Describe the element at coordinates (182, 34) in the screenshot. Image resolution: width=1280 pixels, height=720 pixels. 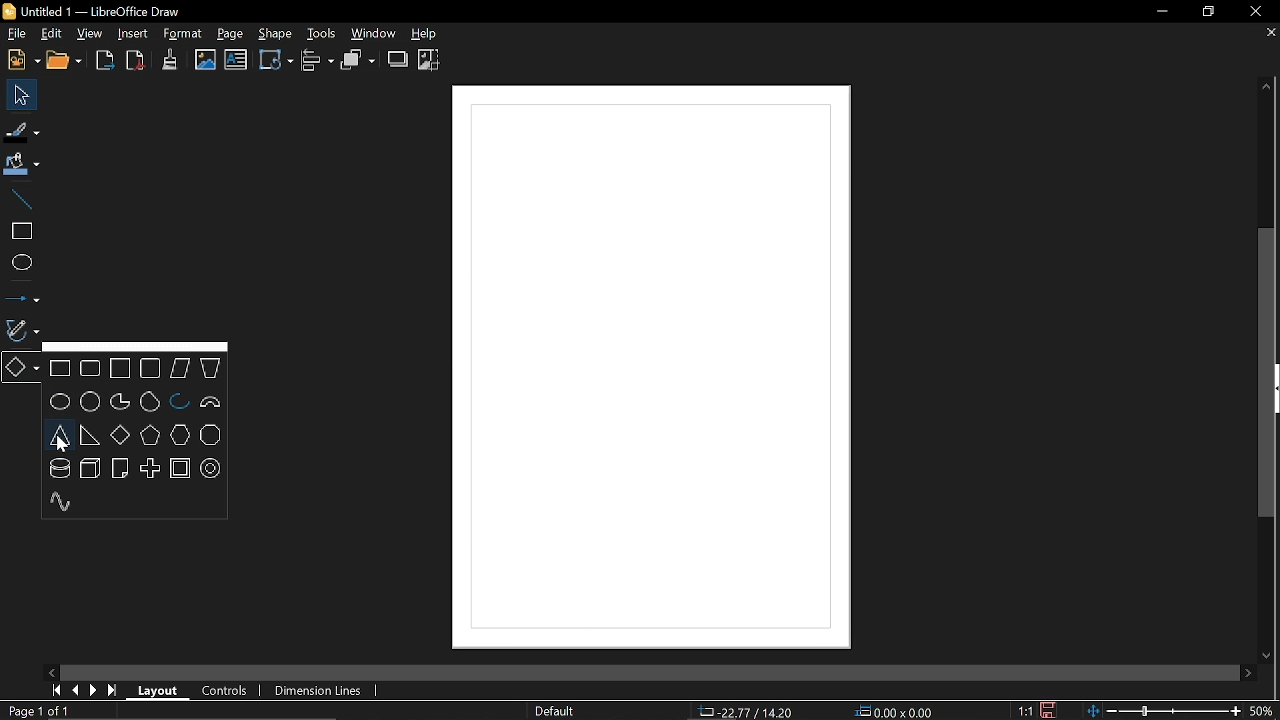
I see `Format` at that location.